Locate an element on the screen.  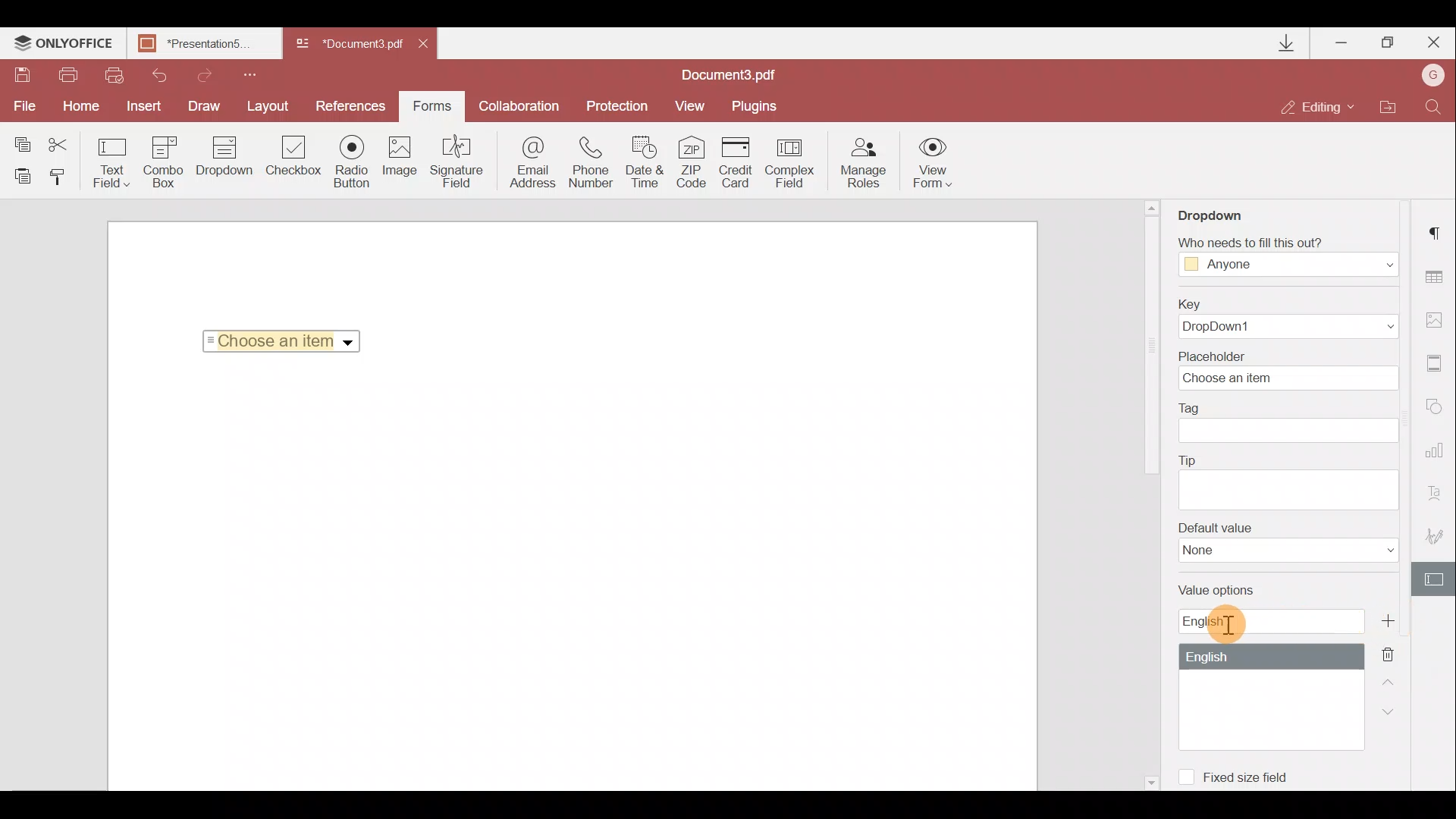
Cut is located at coordinates (67, 142).